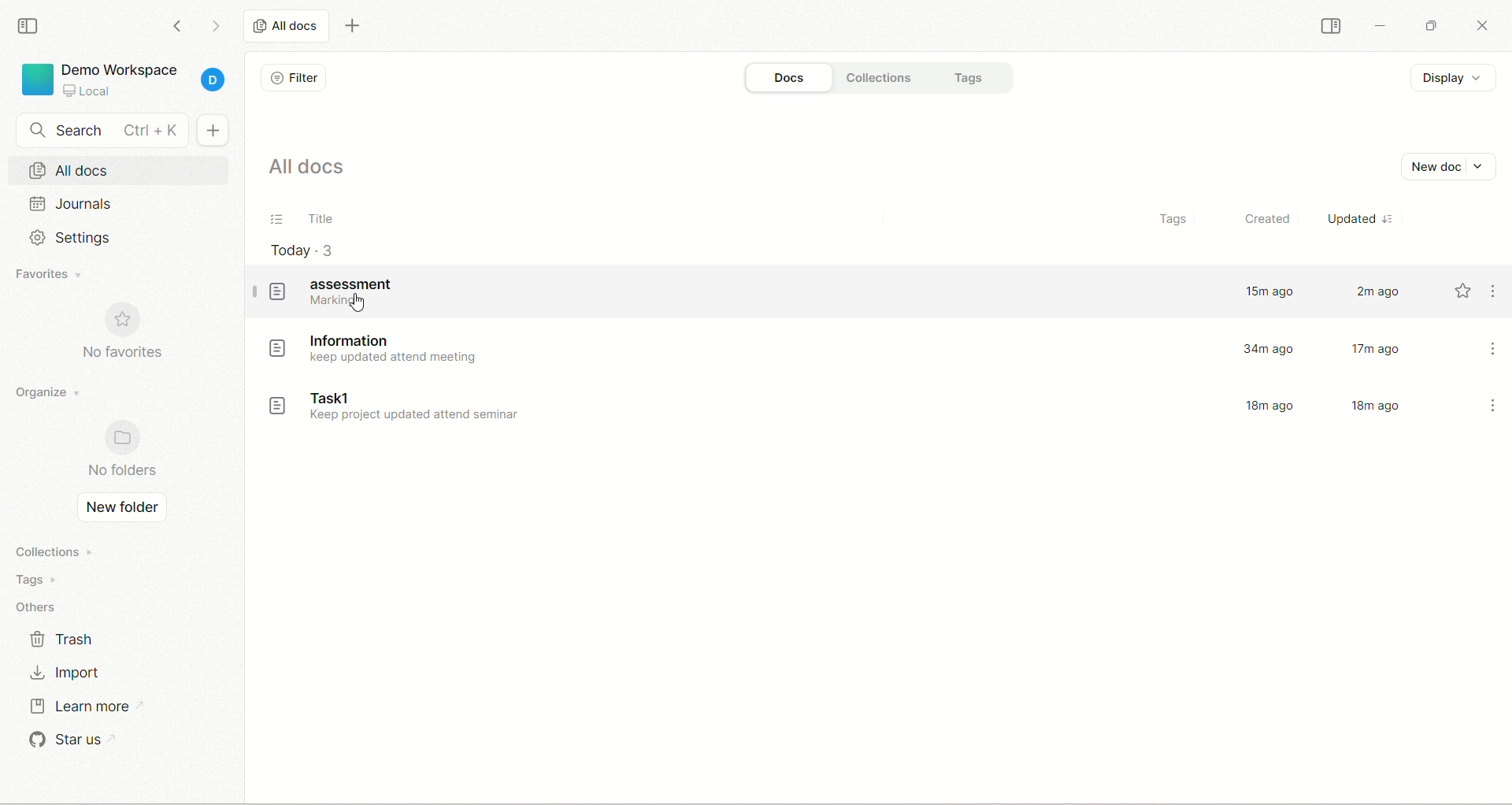 The width and height of the screenshot is (1512, 805). I want to click on 18m ago, so click(1374, 406).